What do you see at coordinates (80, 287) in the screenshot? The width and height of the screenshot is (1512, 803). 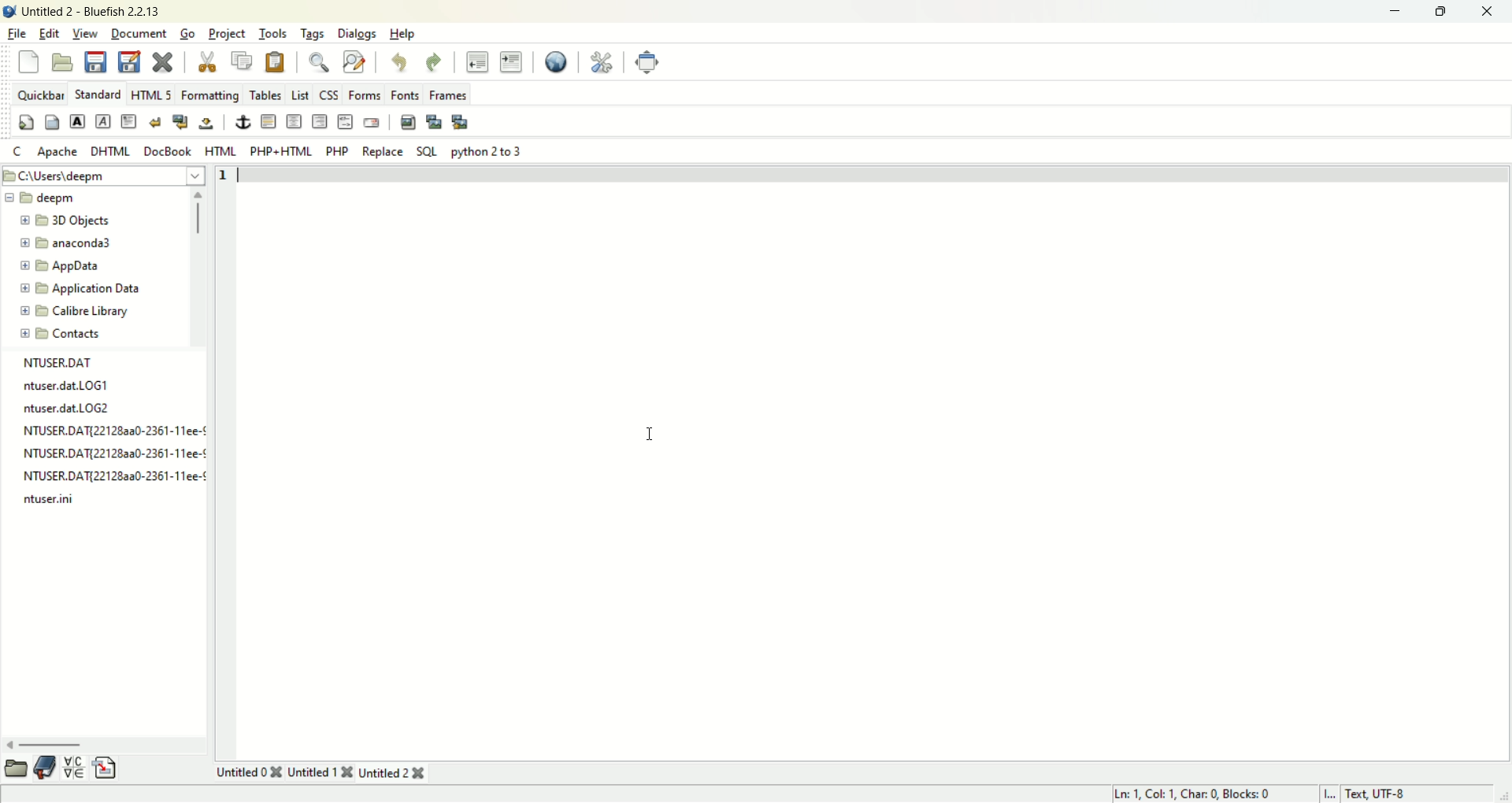 I see `application data` at bounding box center [80, 287].